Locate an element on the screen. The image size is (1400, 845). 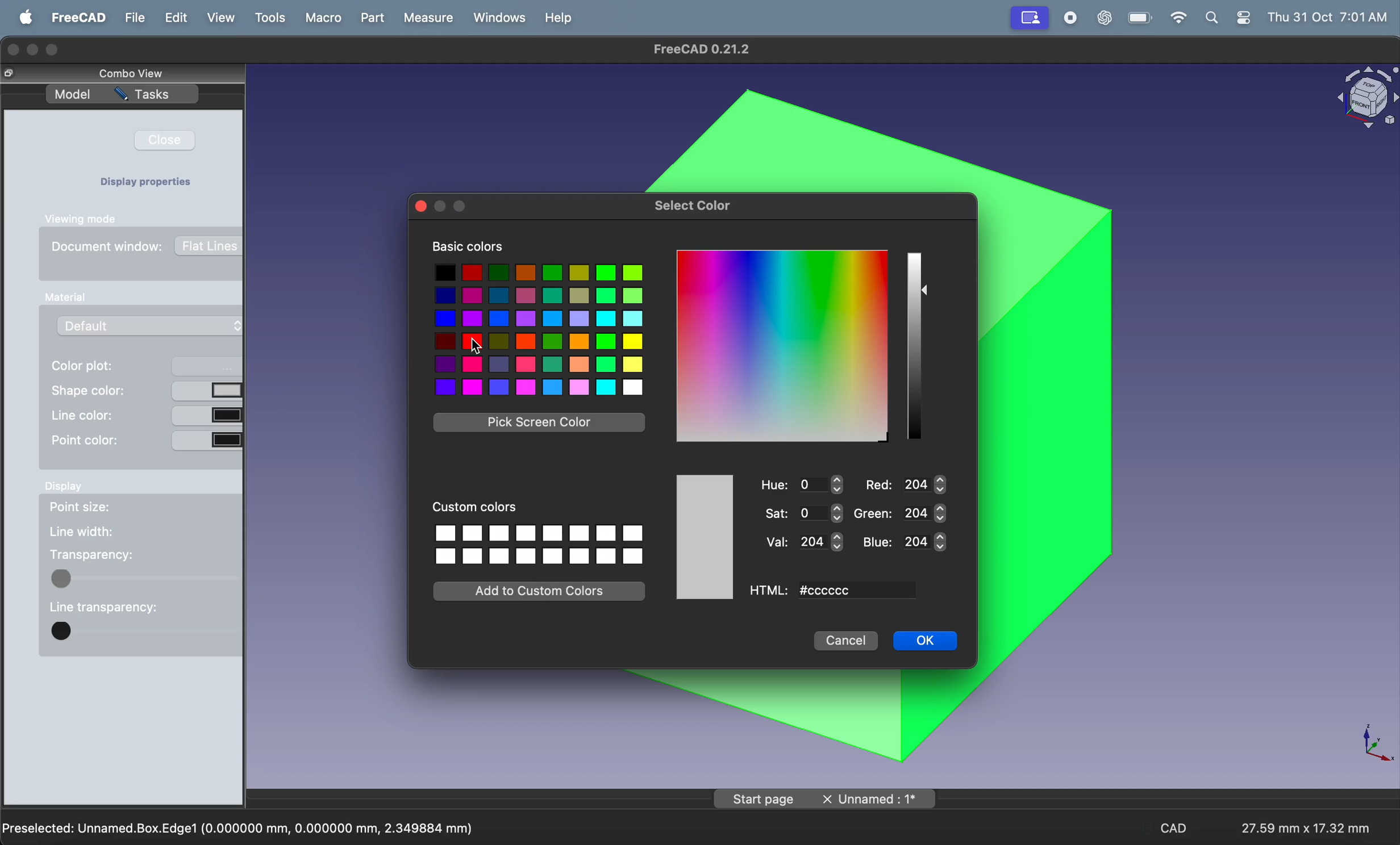
close is located at coordinates (171, 140).